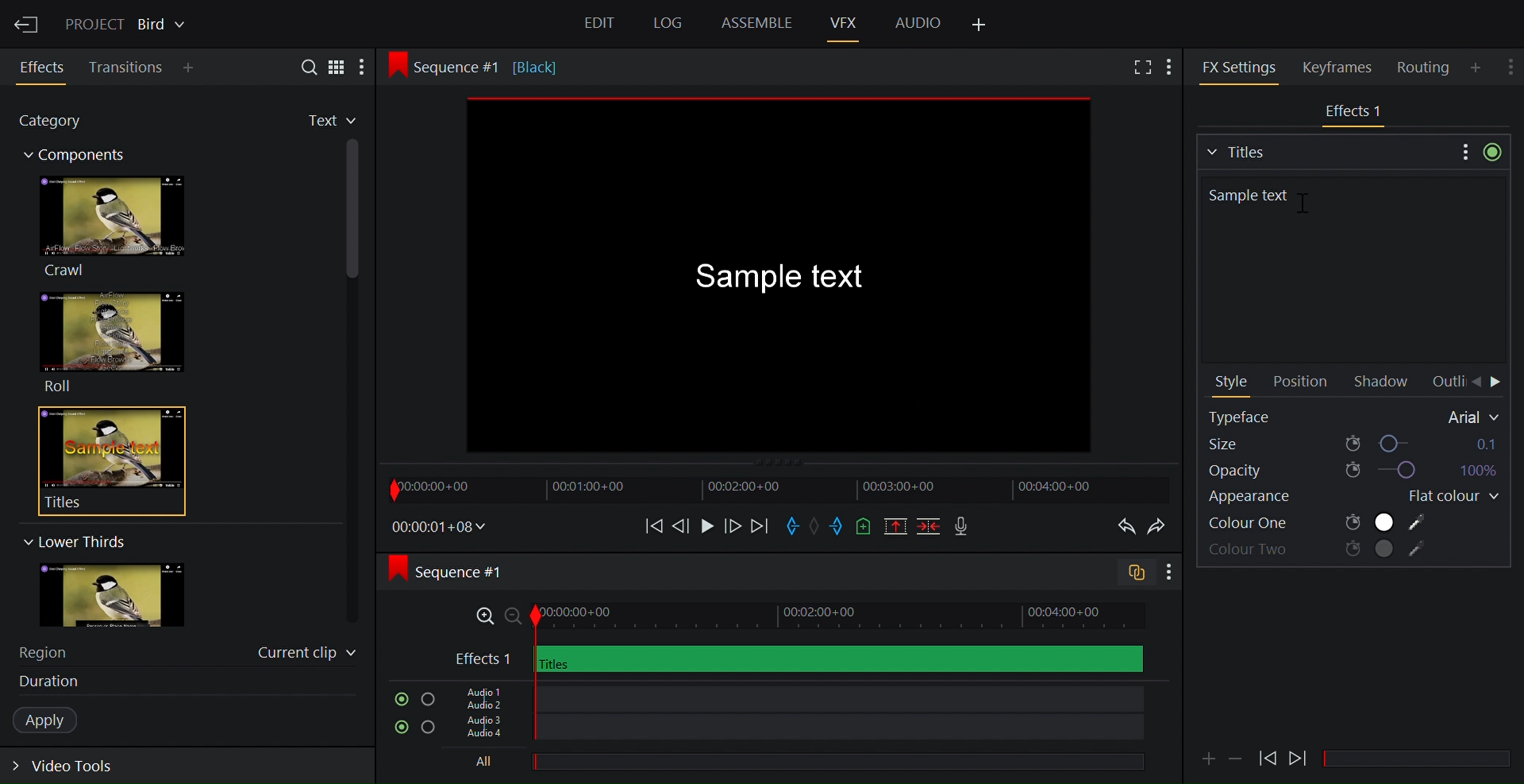  Describe the element at coordinates (1353, 443) in the screenshot. I see `Size` at that location.